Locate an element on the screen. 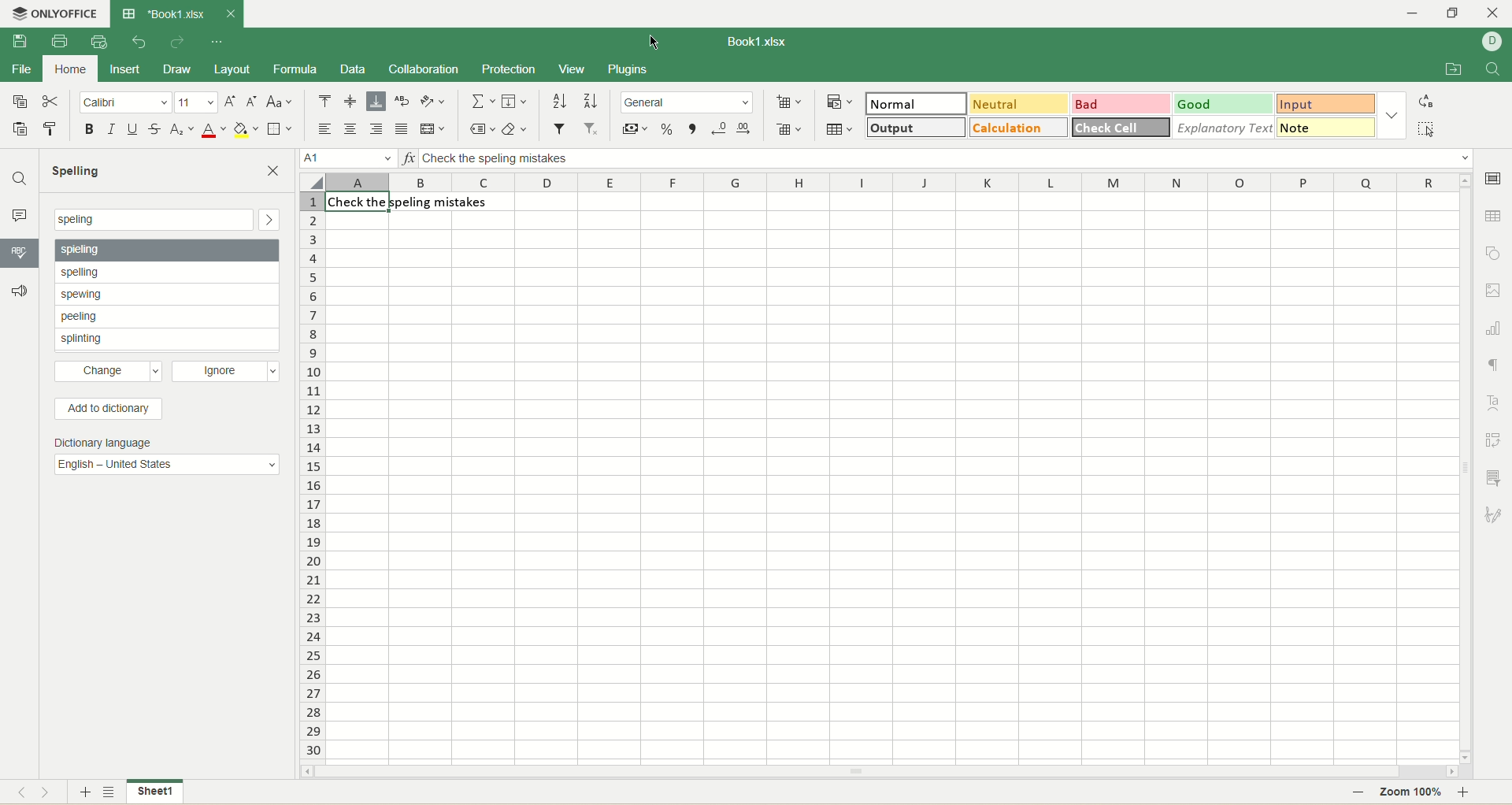 Image resolution: width=1512 pixels, height=805 pixels. close is located at coordinates (1492, 13).